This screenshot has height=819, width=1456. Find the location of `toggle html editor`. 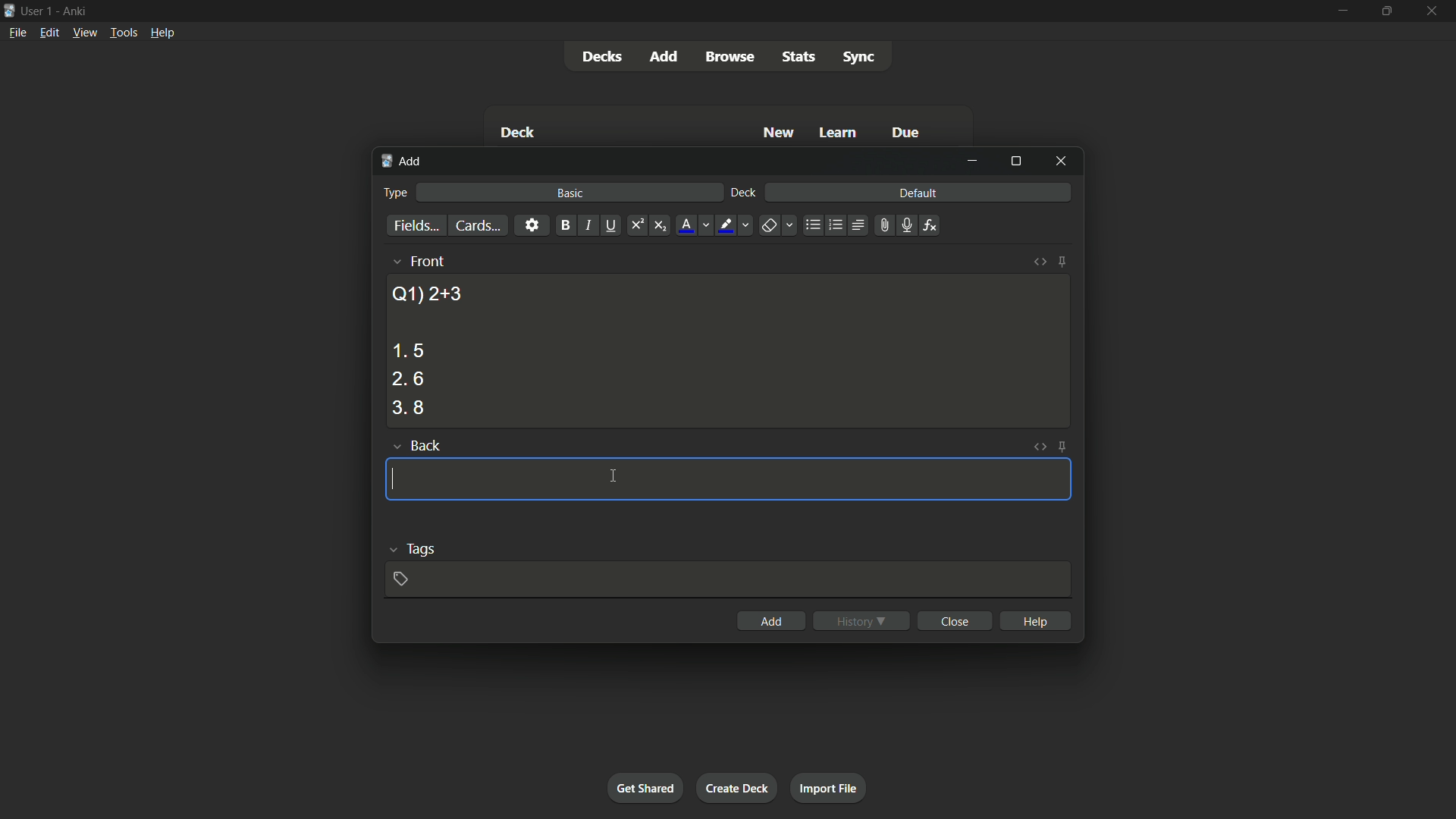

toggle html editor is located at coordinates (1040, 262).